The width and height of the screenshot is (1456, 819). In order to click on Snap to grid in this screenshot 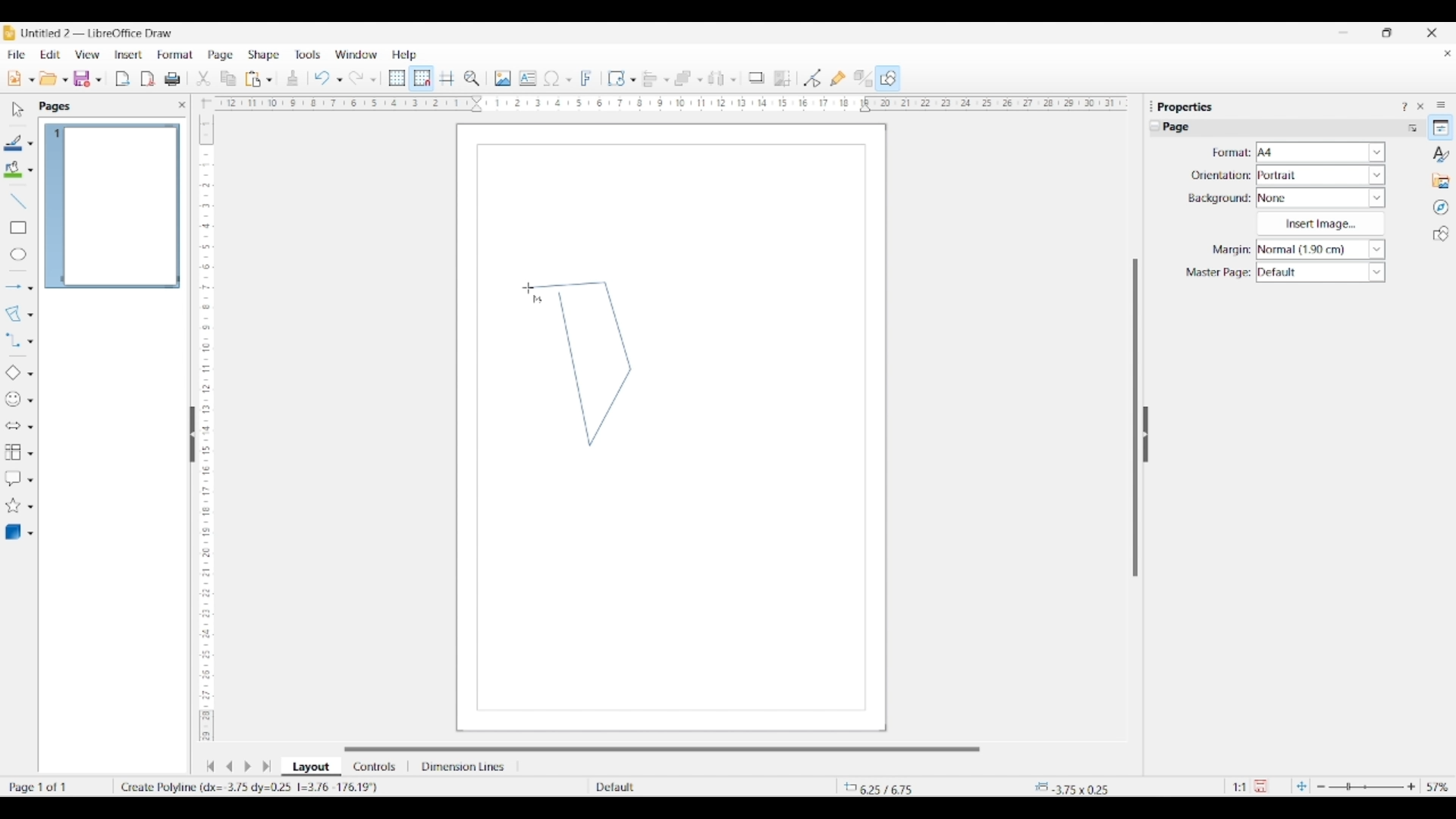, I will do `click(422, 79)`.